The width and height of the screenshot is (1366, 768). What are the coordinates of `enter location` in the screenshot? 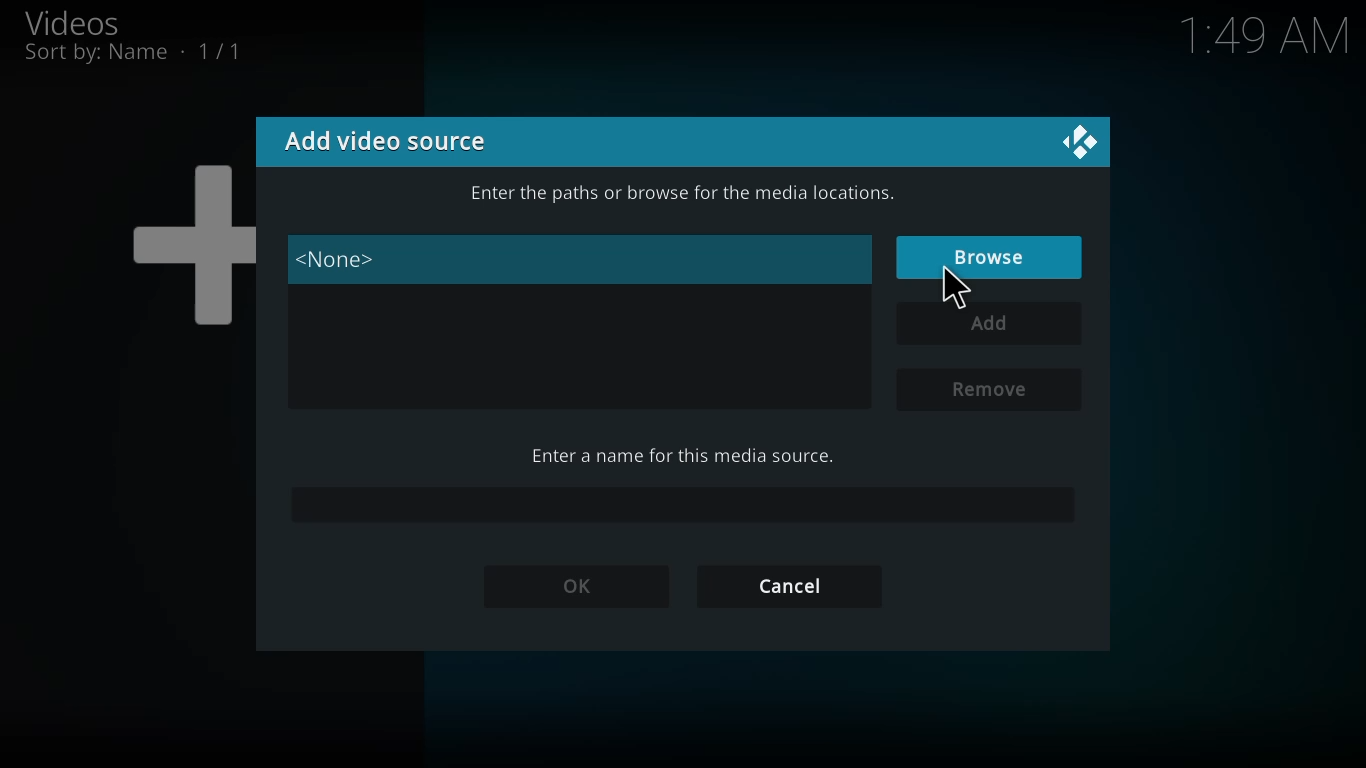 It's located at (688, 190).